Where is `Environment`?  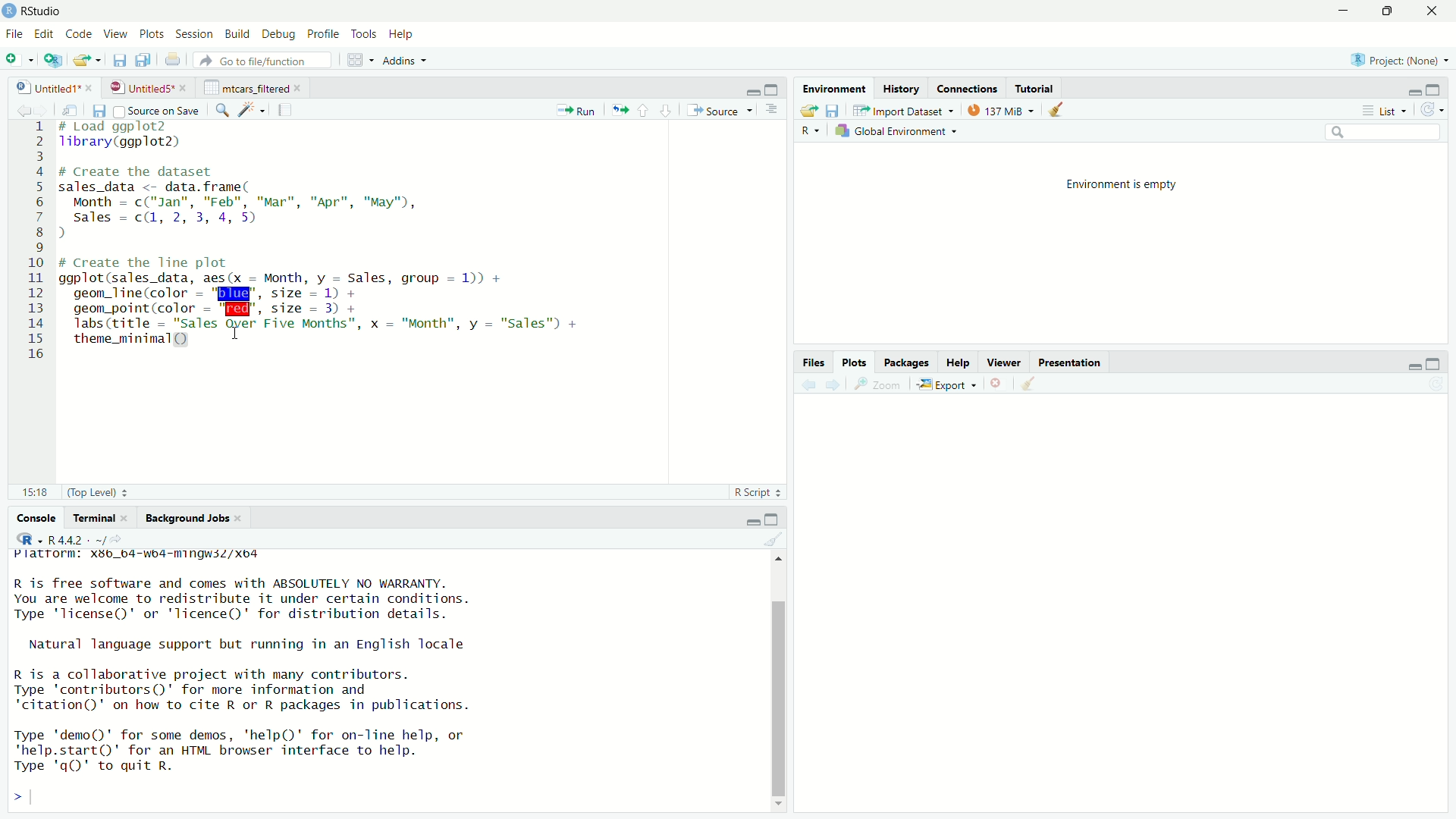 Environment is located at coordinates (836, 88).